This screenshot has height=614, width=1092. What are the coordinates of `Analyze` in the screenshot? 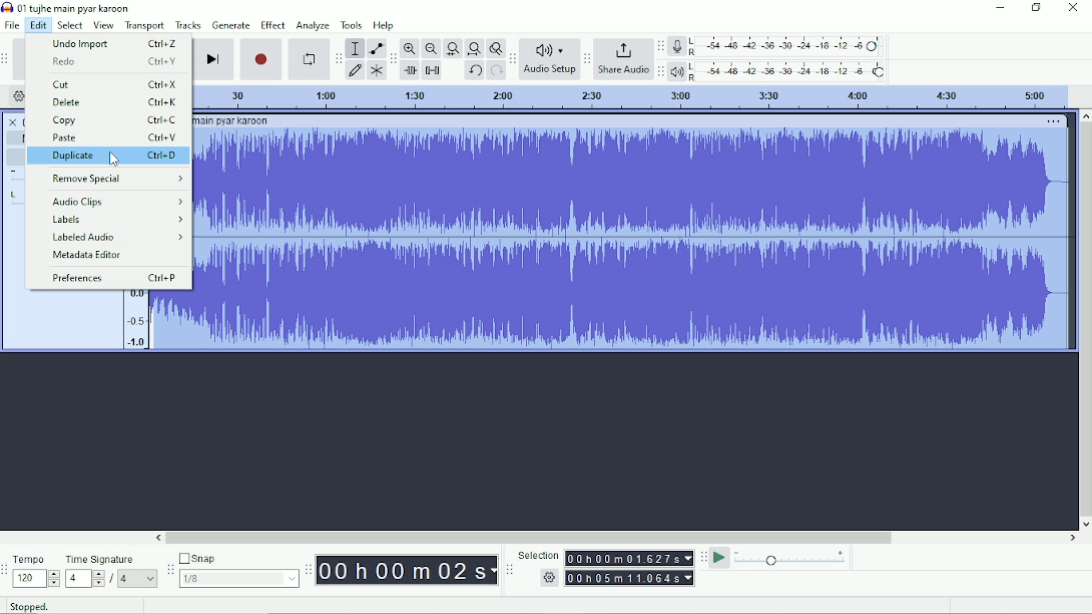 It's located at (313, 25).